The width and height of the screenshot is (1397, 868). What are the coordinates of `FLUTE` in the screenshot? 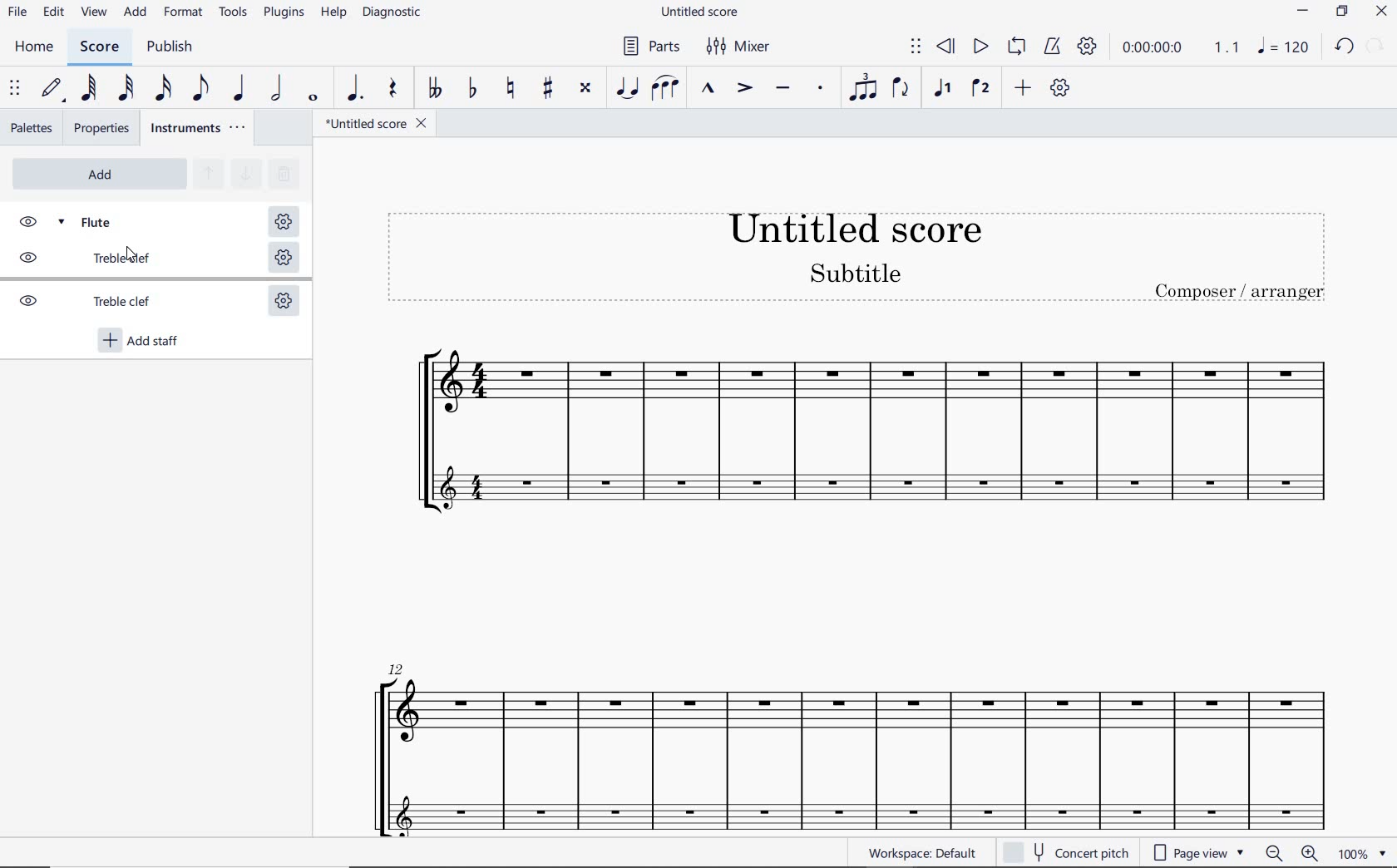 It's located at (104, 220).